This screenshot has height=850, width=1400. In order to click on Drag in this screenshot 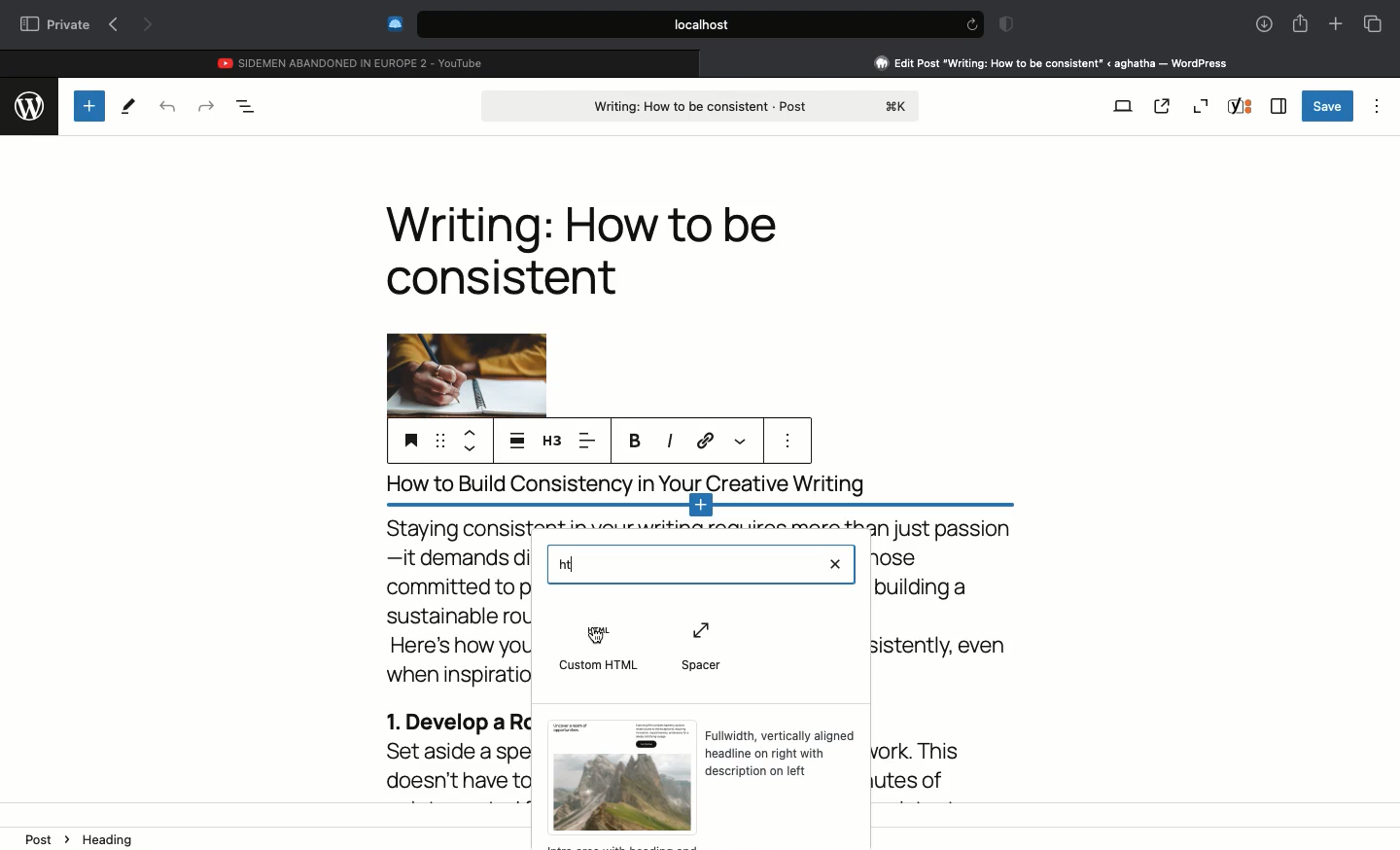, I will do `click(439, 442)`.